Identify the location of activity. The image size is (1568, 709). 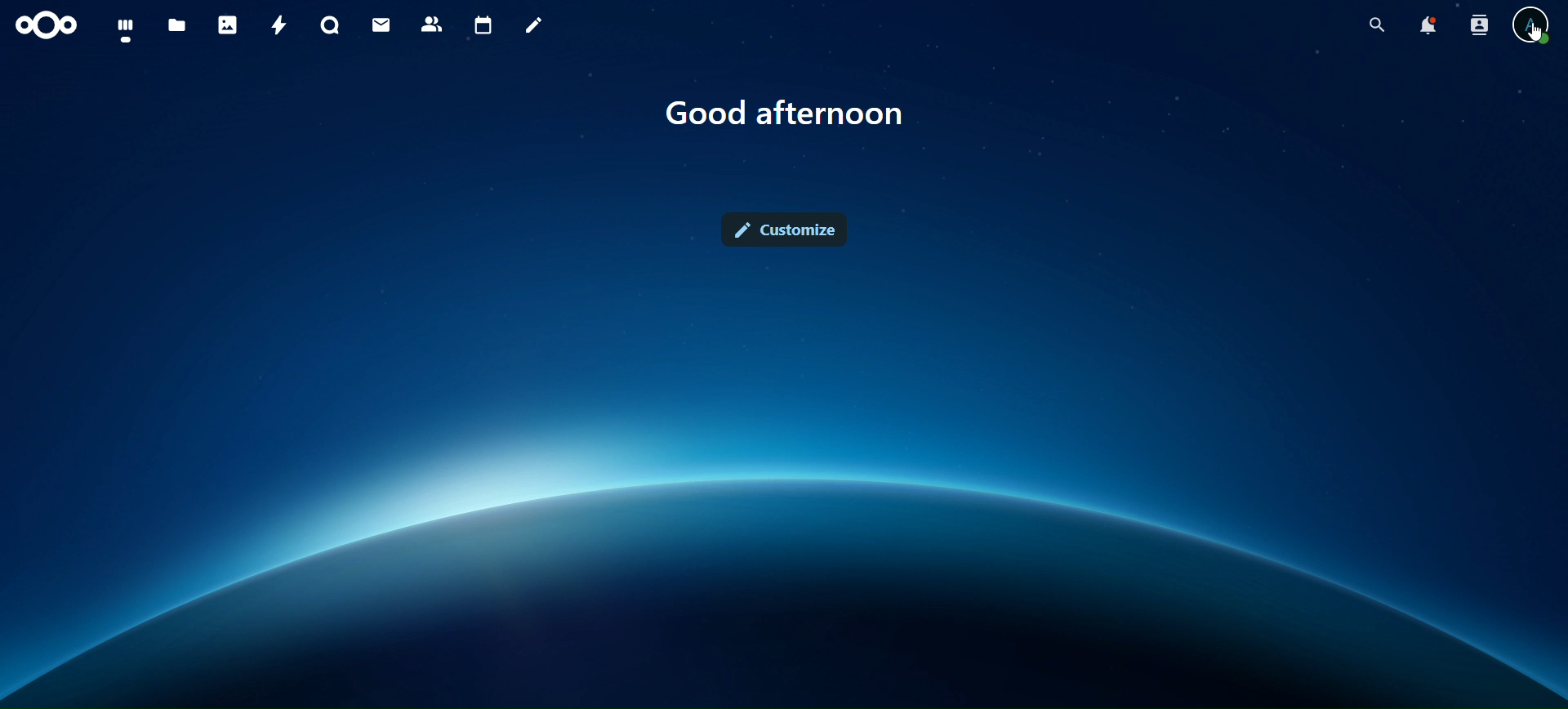
(280, 24).